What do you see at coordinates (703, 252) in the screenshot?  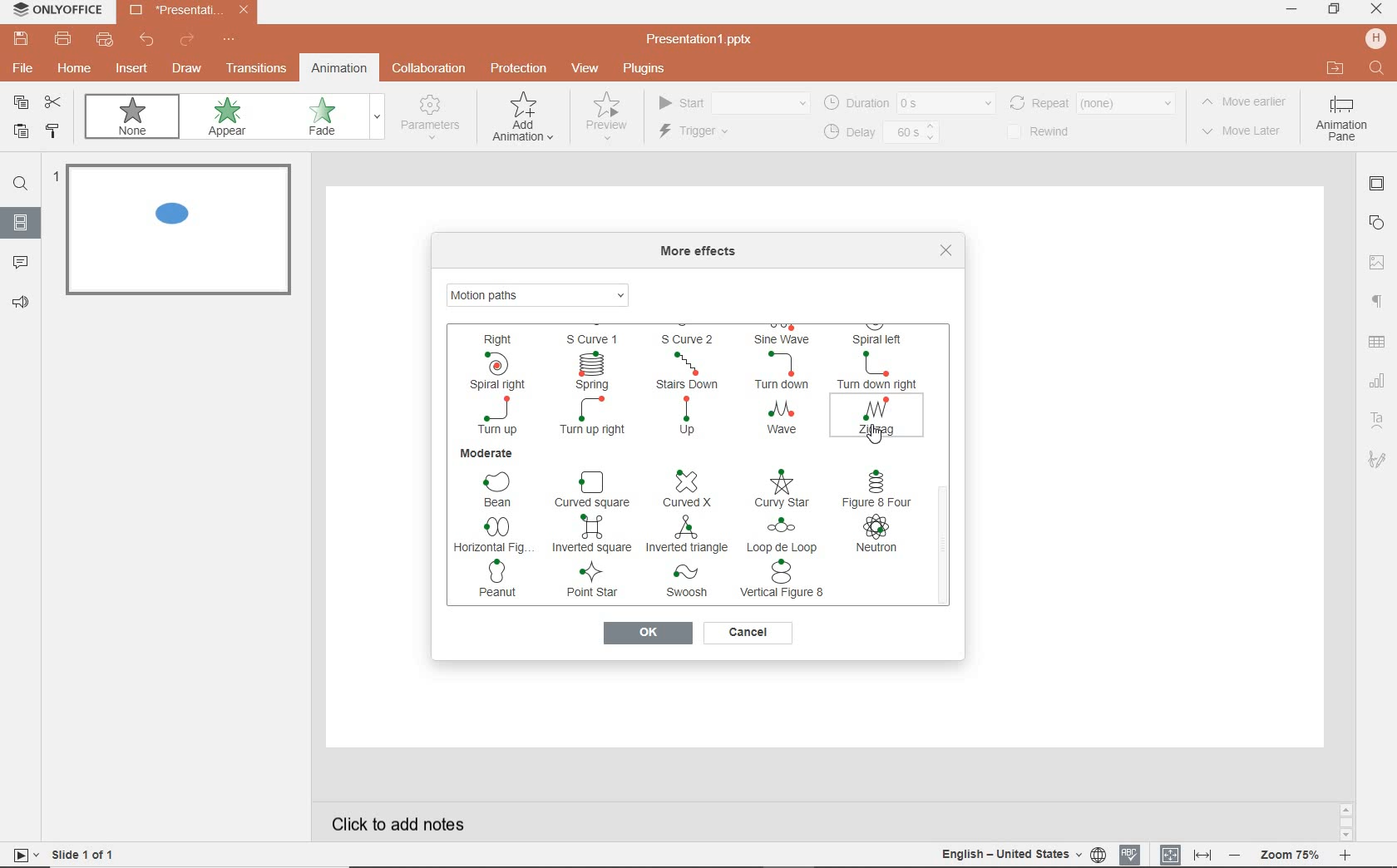 I see `MORE EFFECTS` at bounding box center [703, 252].